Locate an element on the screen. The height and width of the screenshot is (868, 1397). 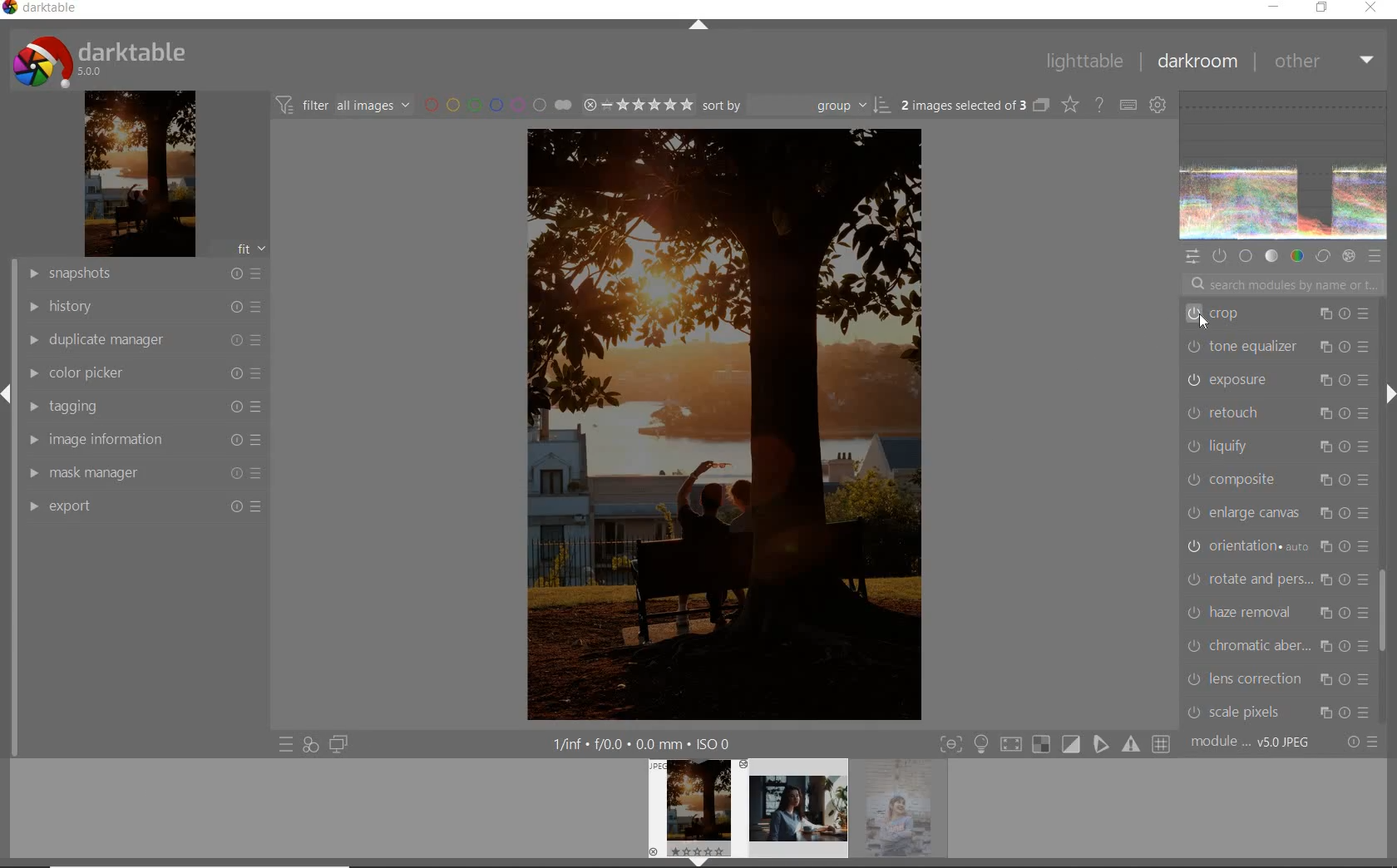
image information is located at coordinates (141, 439).